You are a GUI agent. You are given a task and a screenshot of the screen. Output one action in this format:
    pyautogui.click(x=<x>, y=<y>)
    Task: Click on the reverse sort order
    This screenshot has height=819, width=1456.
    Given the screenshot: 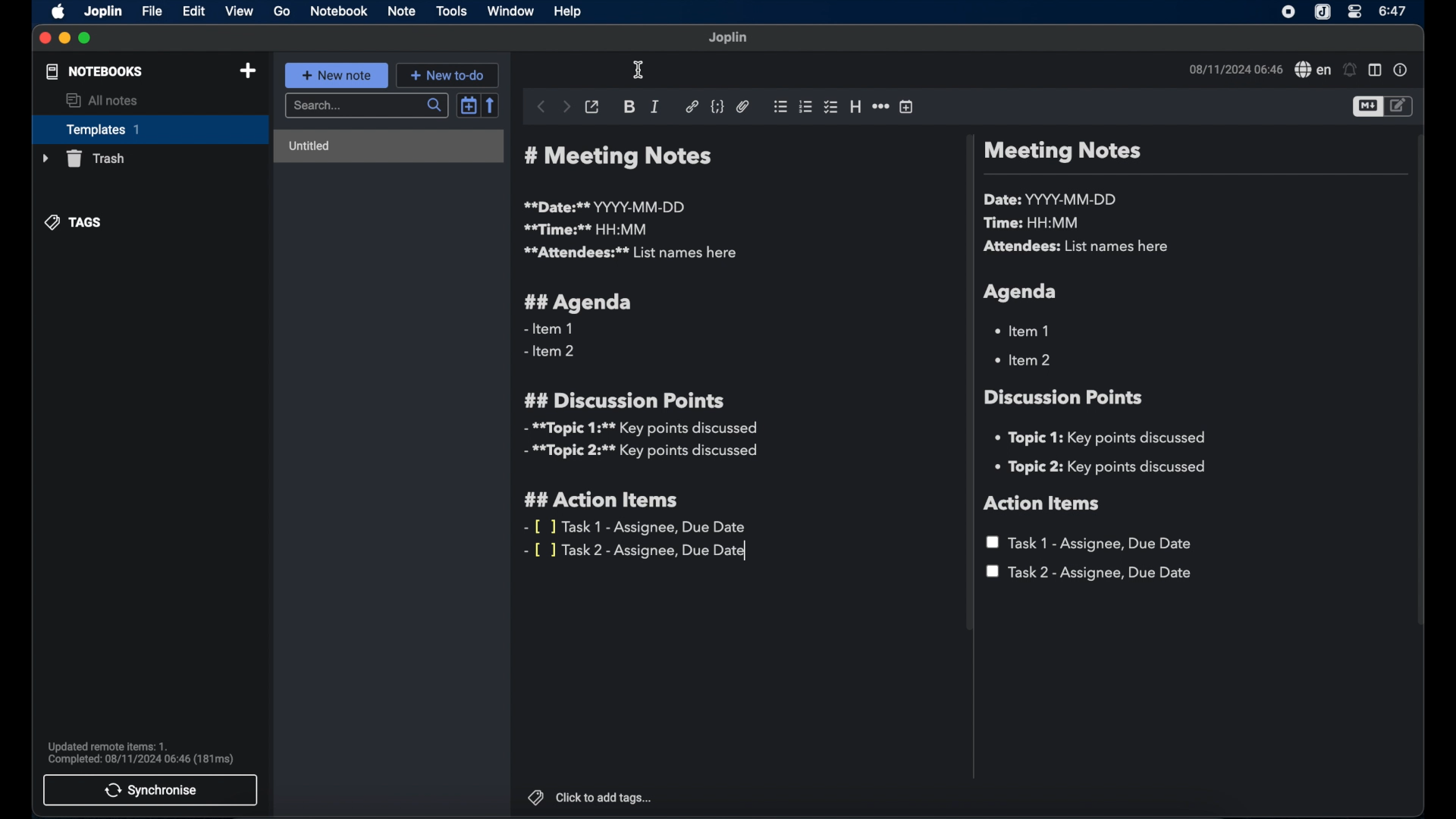 What is the action you would take?
    pyautogui.click(x=492, y=105)
    